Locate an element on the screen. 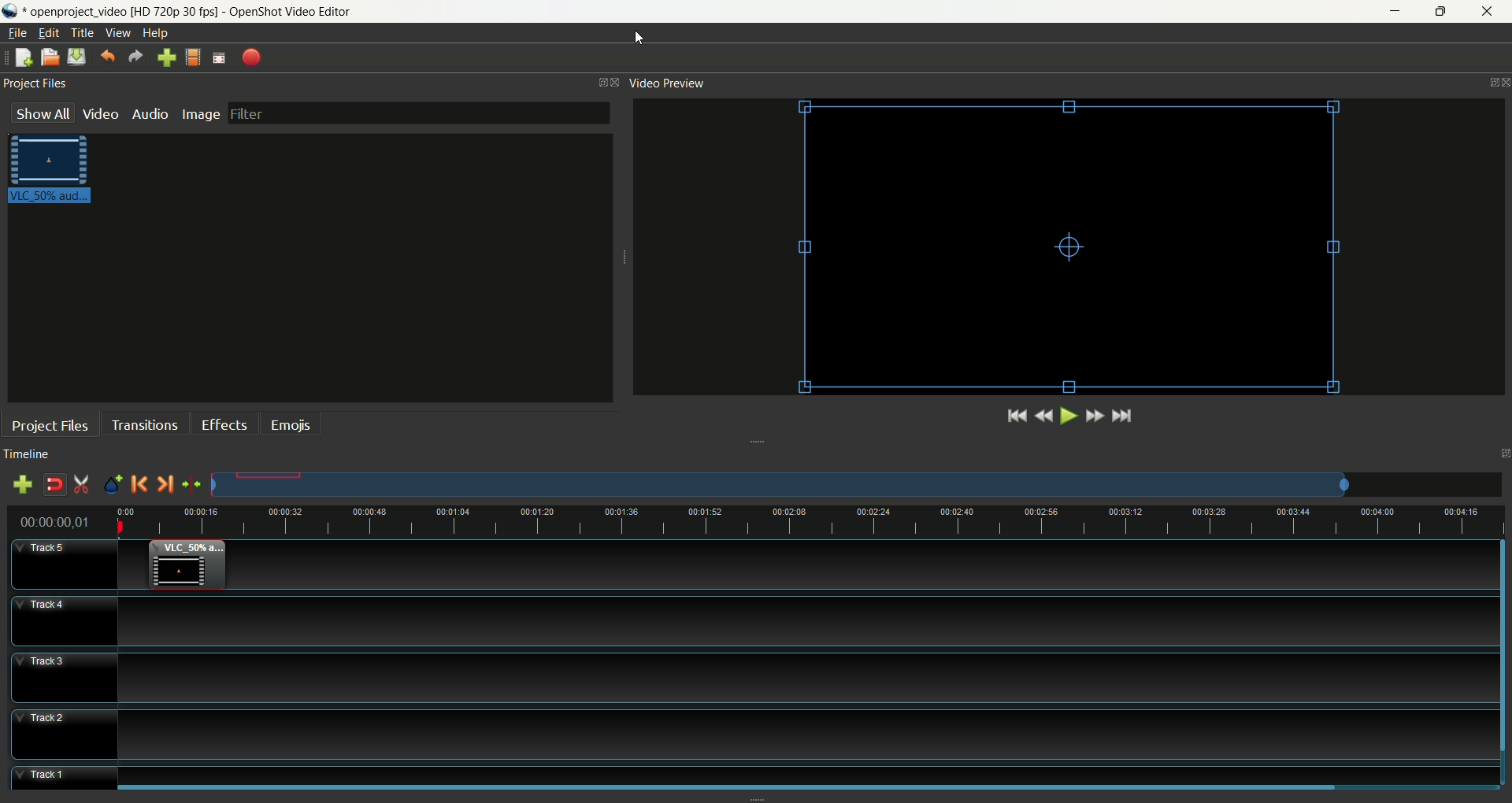 The width and height of the screenshot is (1512, 803). view is located at coordinates (118, 33).